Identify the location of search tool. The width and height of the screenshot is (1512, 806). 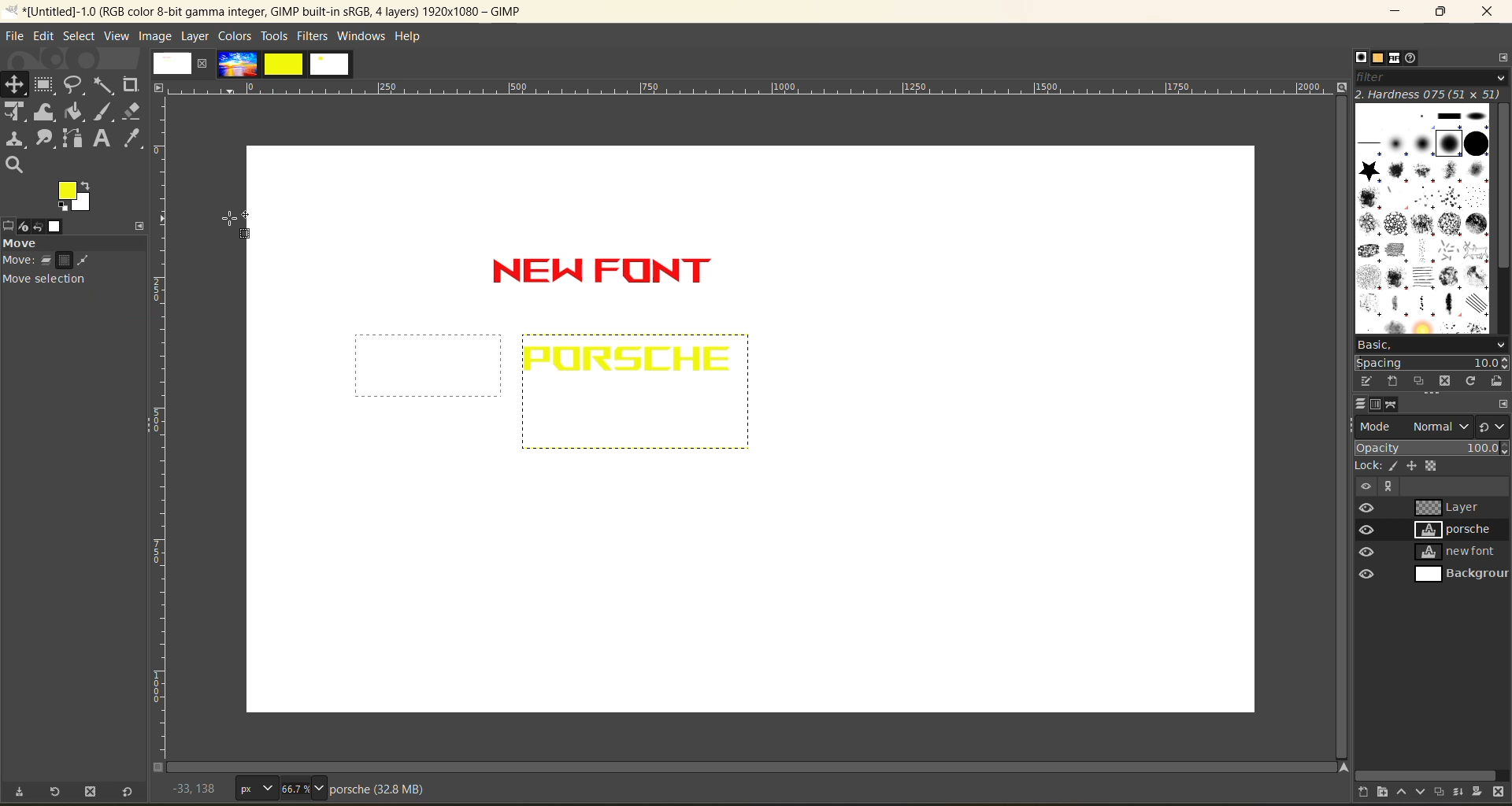
(18, 166).